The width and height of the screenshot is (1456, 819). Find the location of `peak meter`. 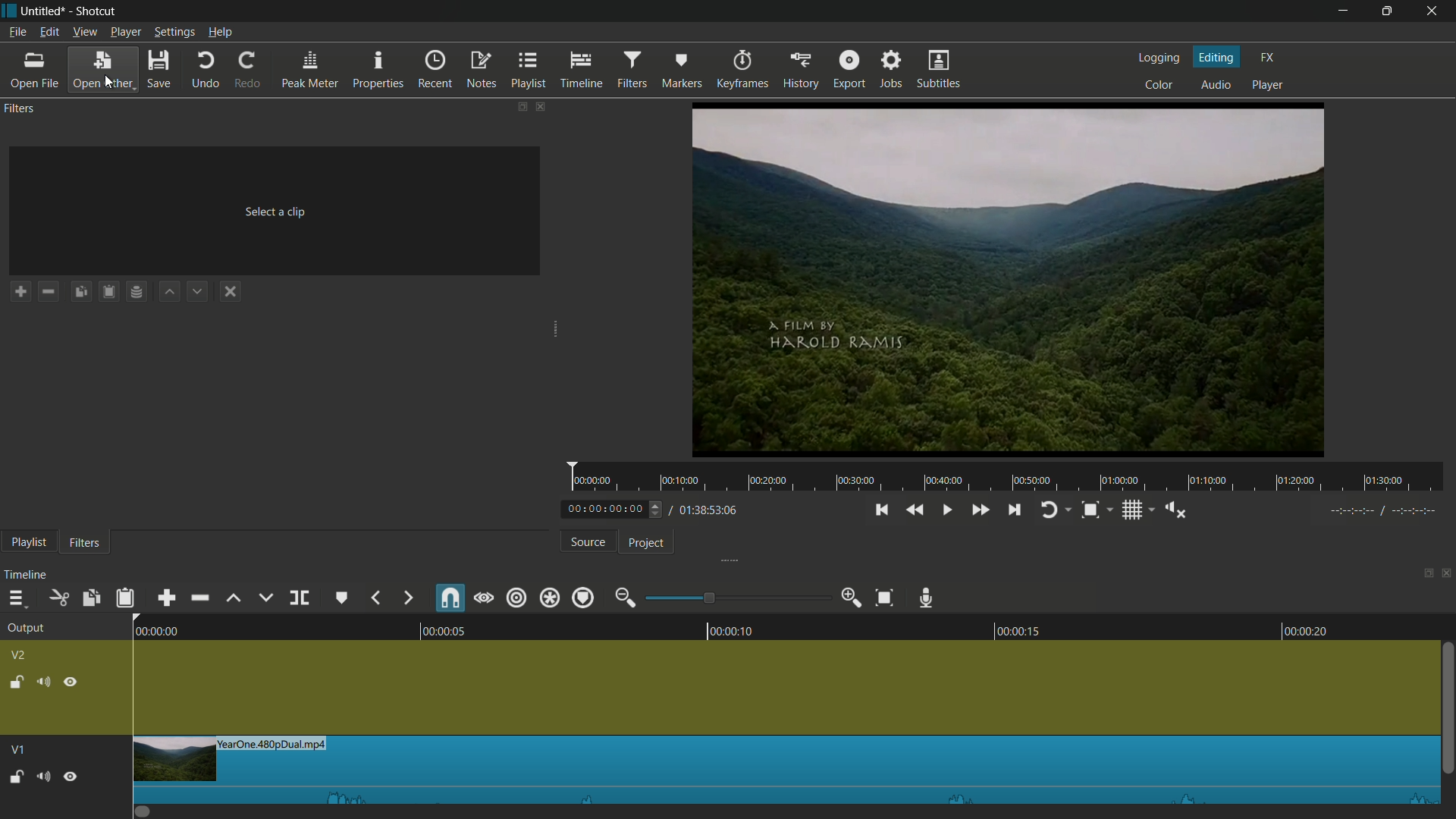

peak meter is located at coordinates (310, 71).